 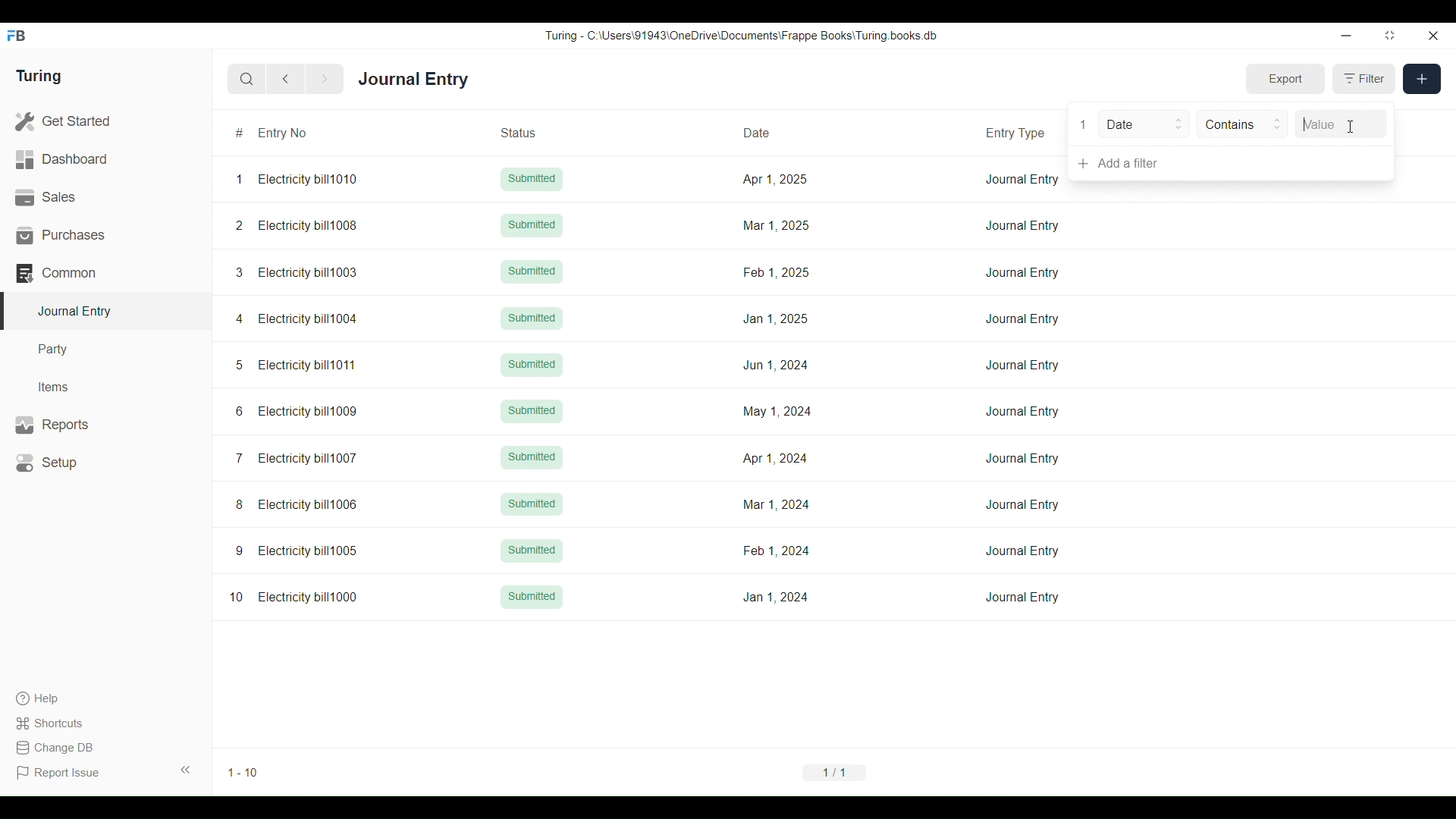 I want to click on Party, so click(x=105, y=350).